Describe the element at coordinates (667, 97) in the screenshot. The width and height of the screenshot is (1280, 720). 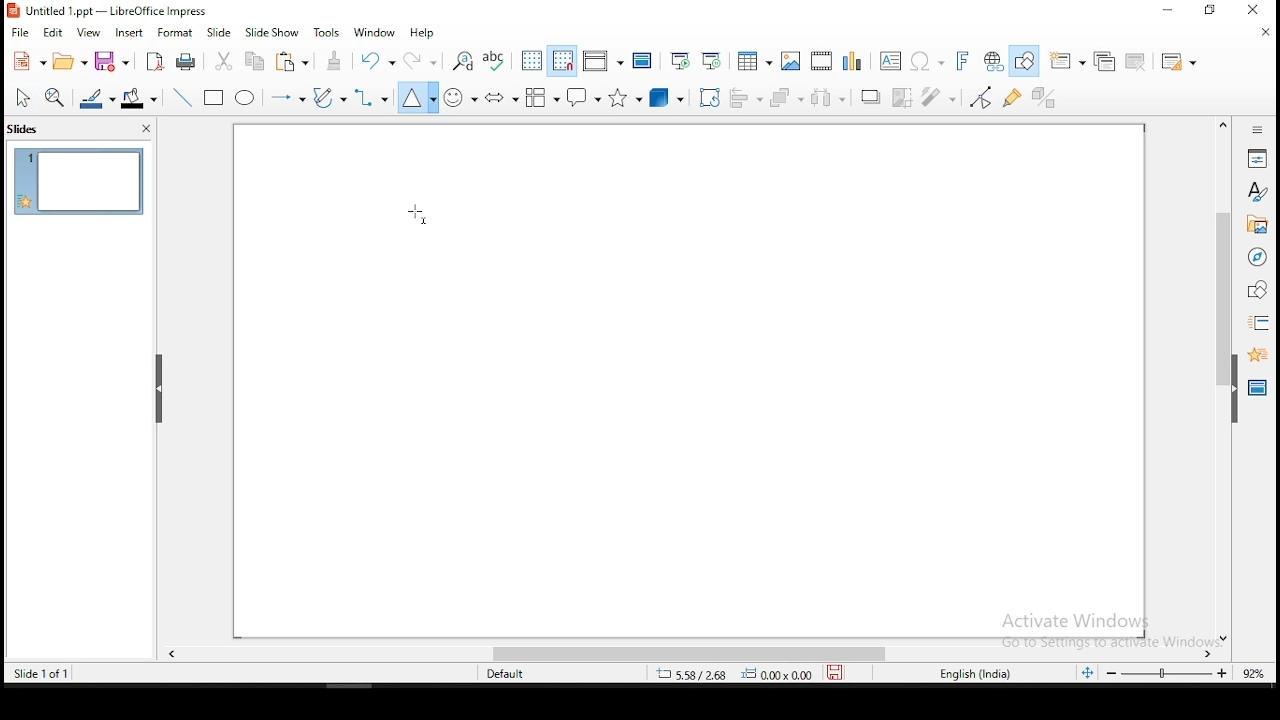
I see `3D objects` at that location.